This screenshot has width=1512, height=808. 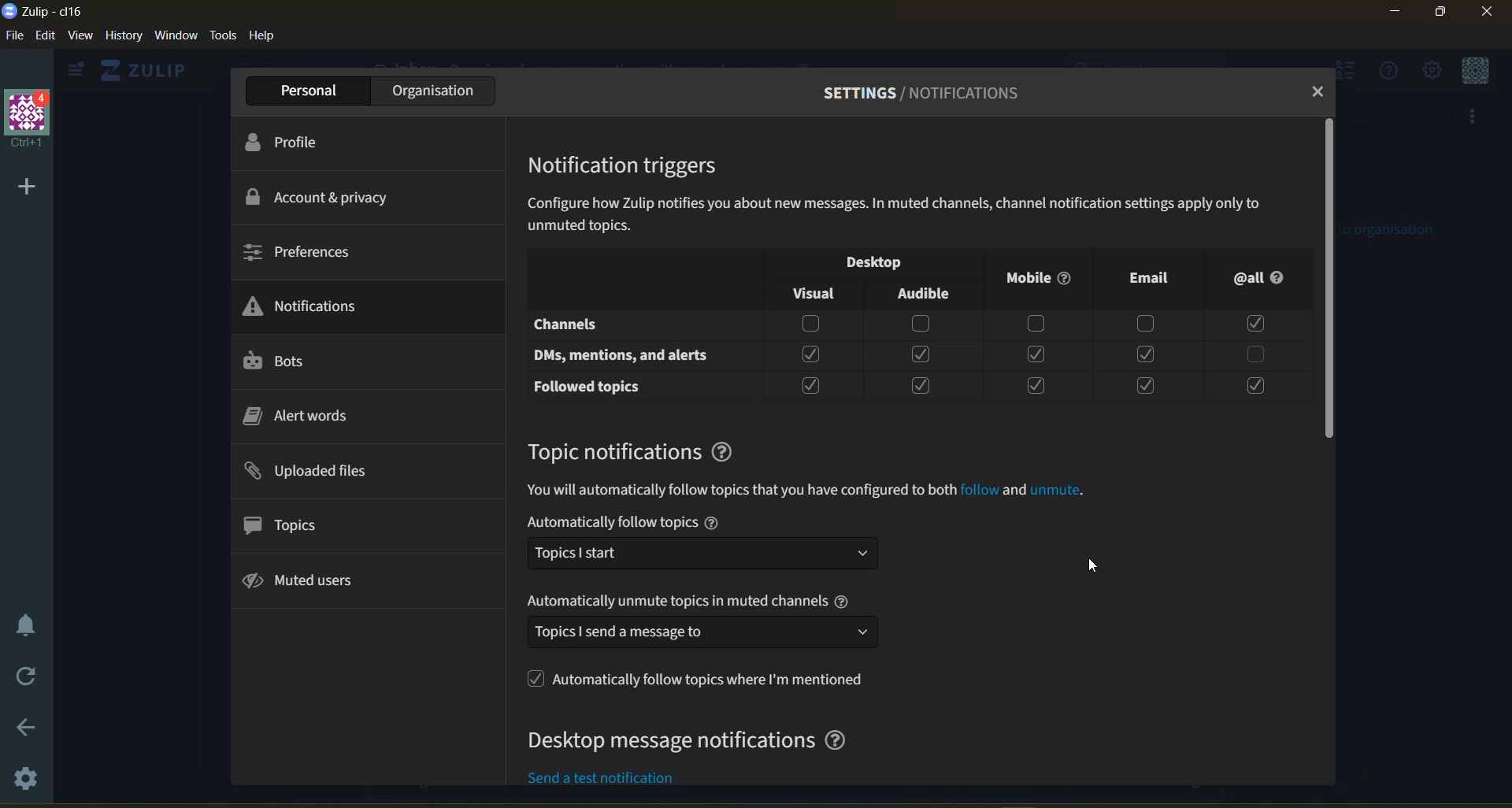 What do you see at coordinates (587, 390) in the screenshot?
I see `Followed Topics` at bounding box center [587, 390].